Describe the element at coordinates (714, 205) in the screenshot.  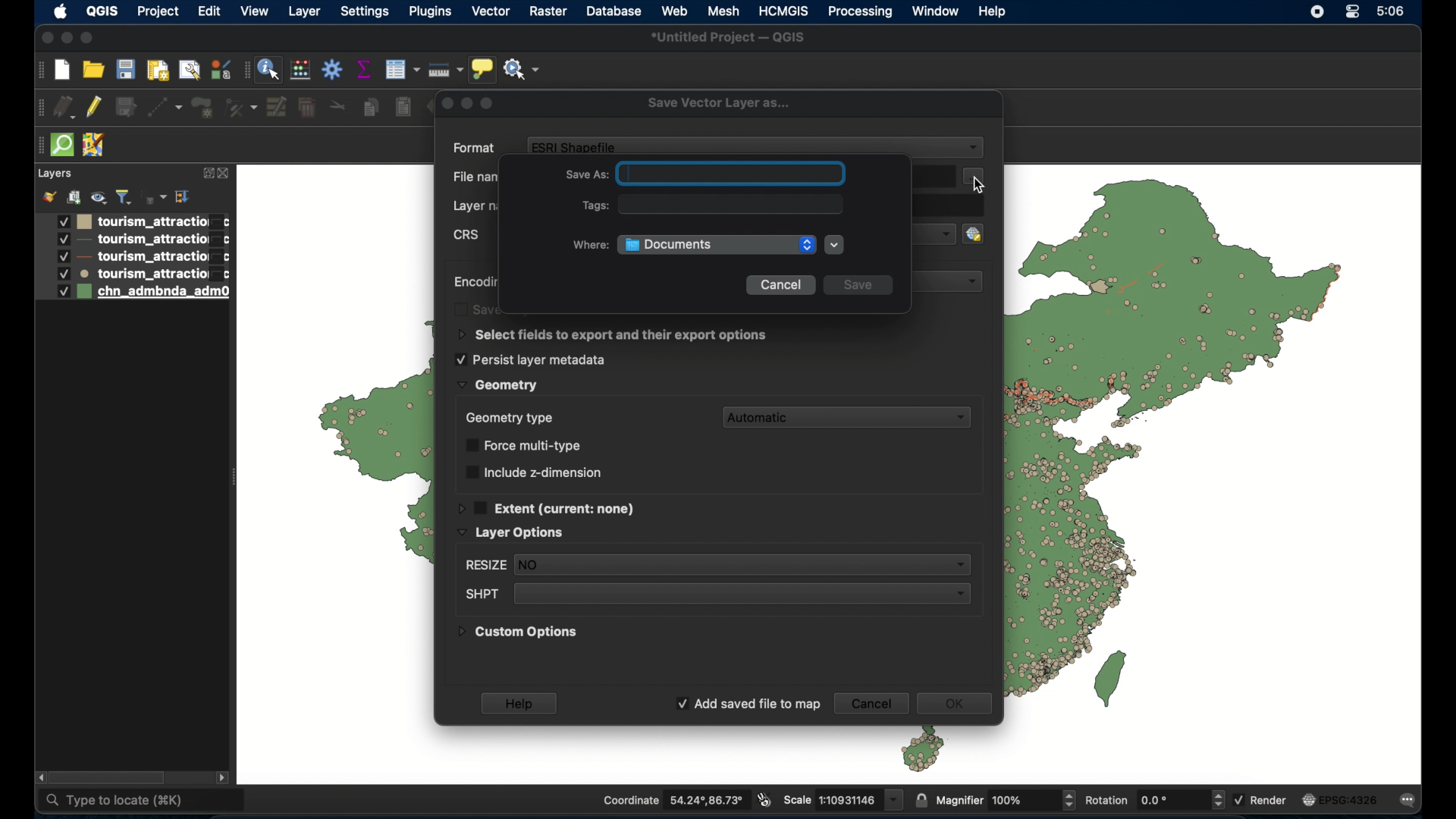
I see `tags field` at that location.